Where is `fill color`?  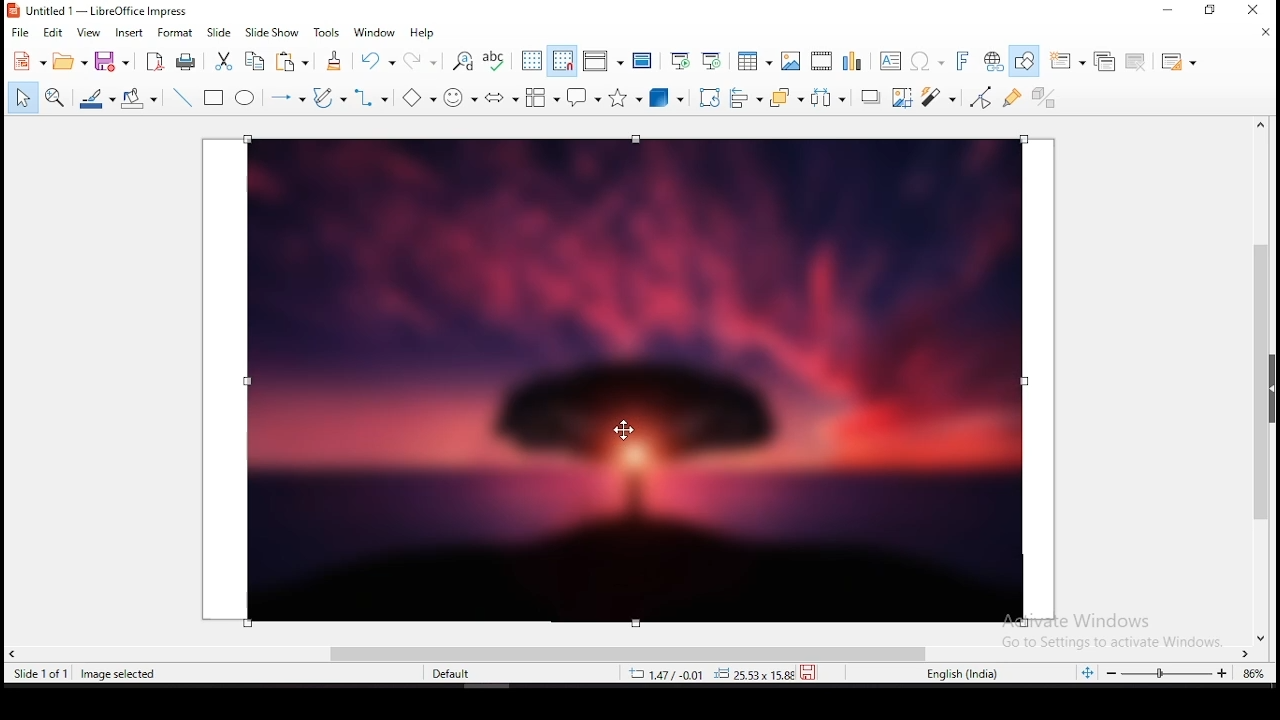 fill color is located at coordinates (139, 97).